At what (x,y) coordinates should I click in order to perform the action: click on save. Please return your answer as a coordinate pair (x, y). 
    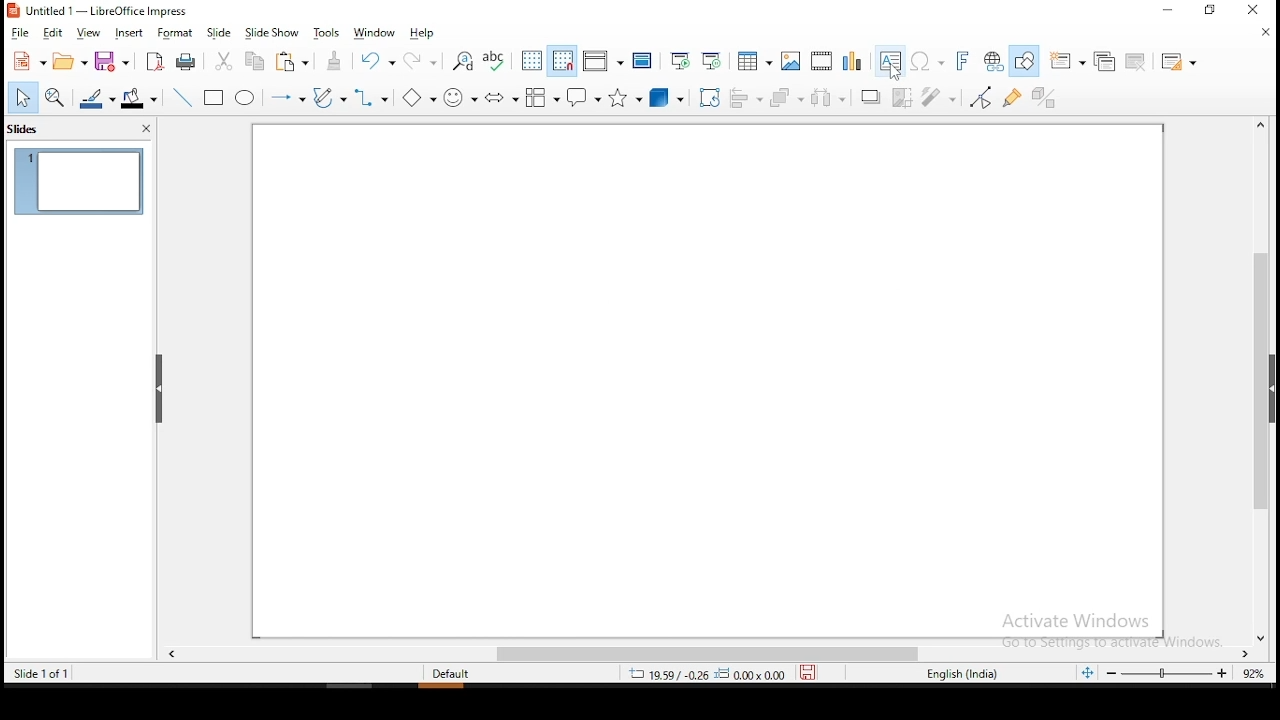
    Looking at the image, I should click on (815, 674).